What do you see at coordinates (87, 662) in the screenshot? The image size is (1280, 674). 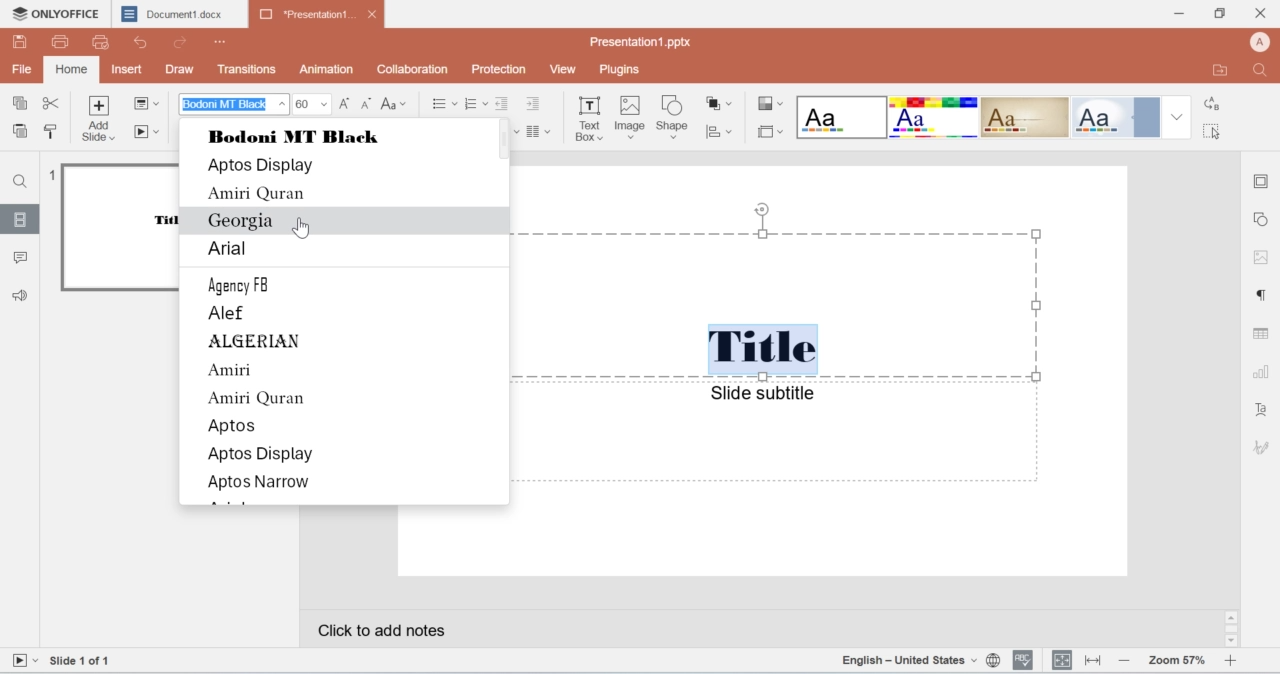 I see `Slides numbering` at bounding box center [87, 662].